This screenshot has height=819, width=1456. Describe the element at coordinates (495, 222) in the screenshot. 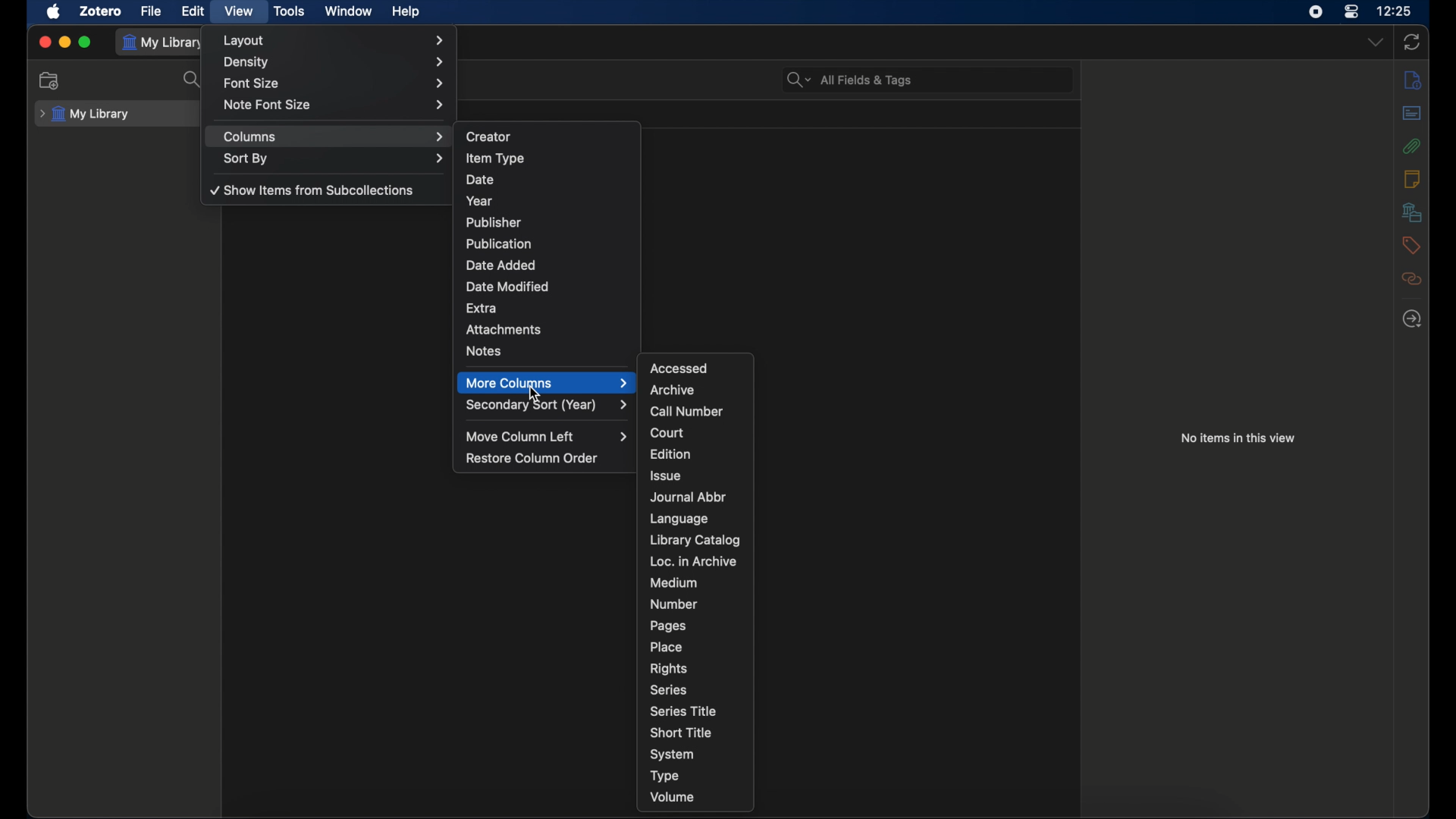

I see `publisher` at that location.